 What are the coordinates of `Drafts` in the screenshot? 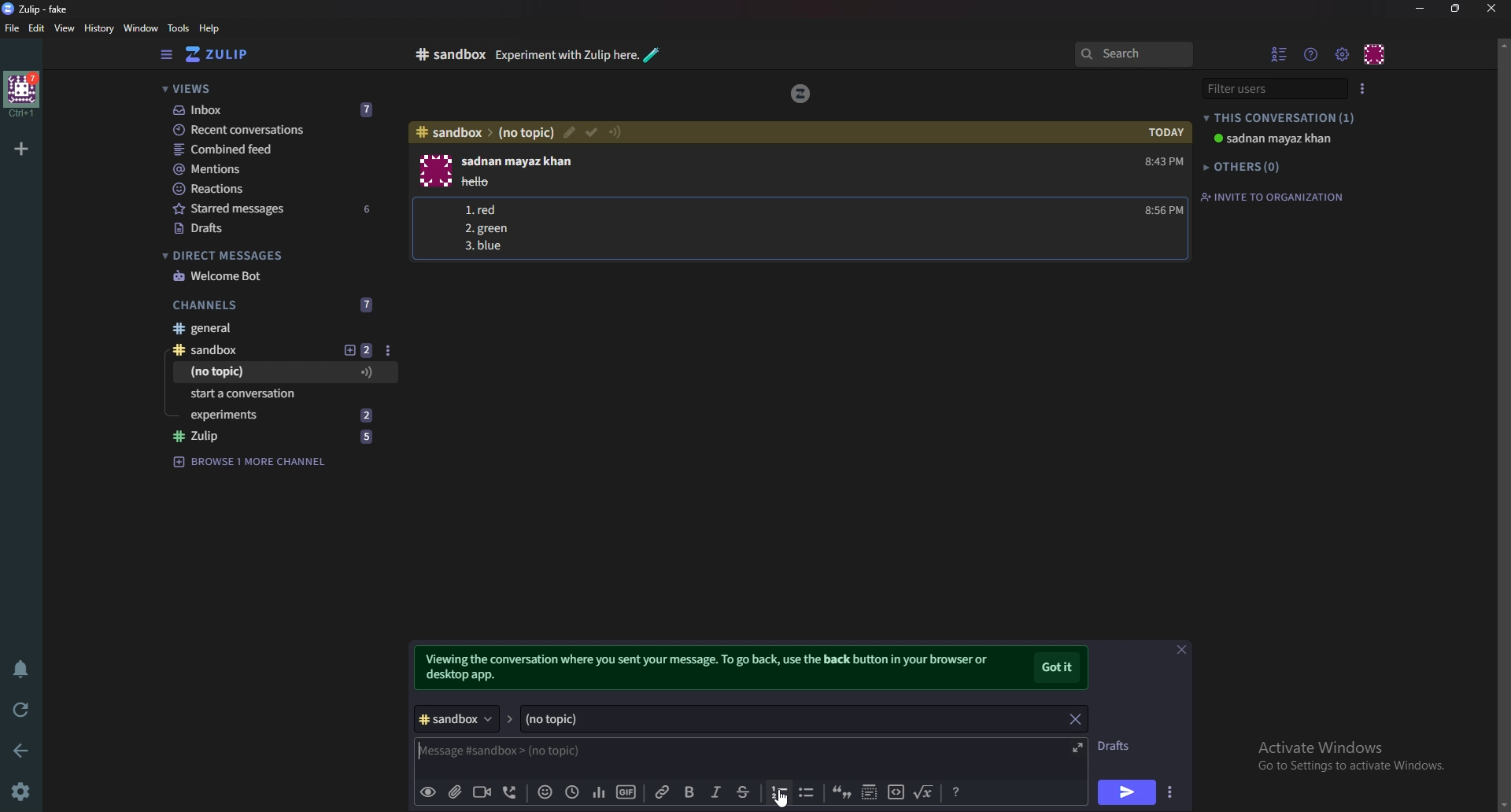 It's located at (272, 228).